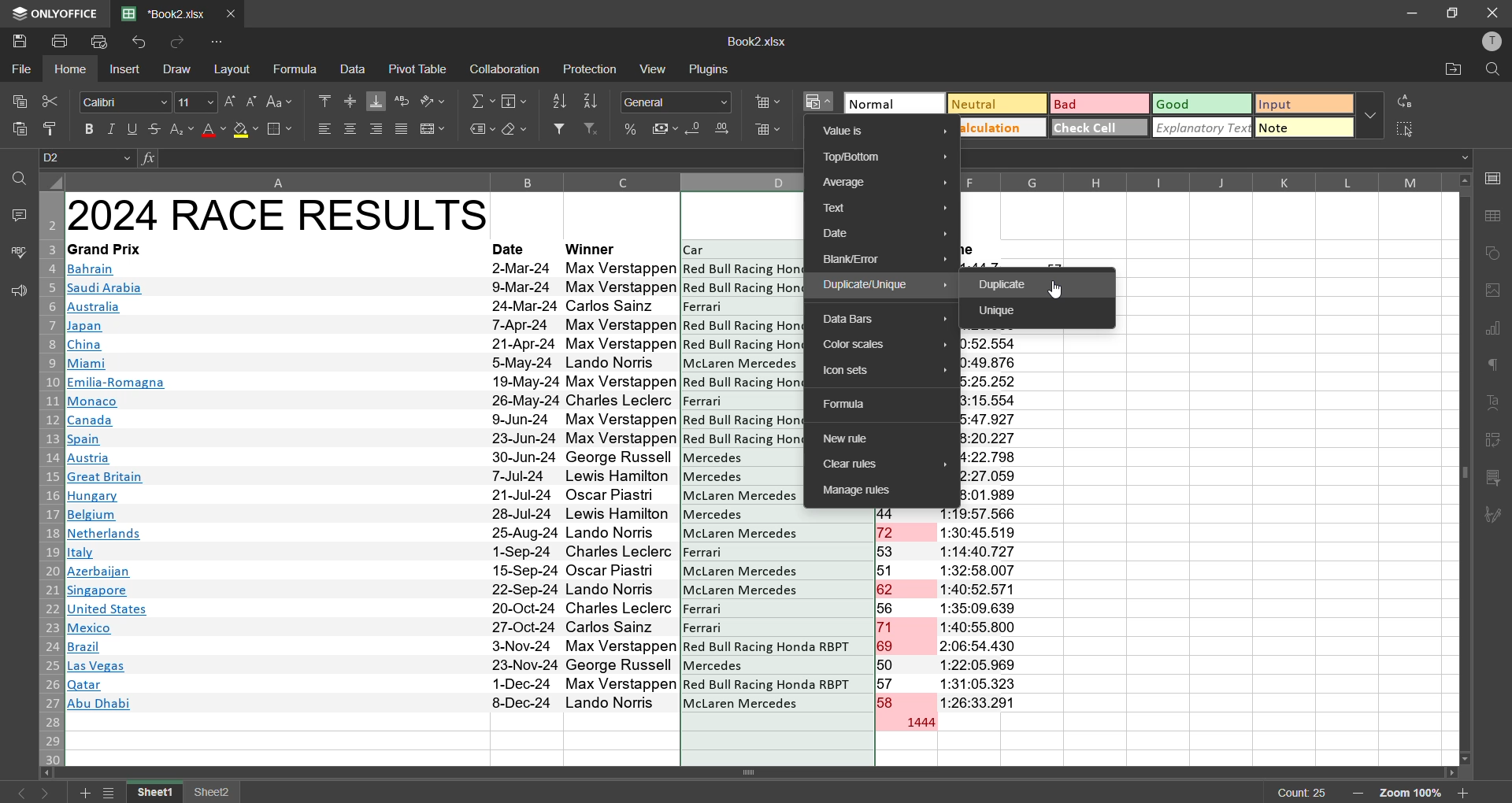  Describe the element at coordinates (235, 12) in the screenshot. I see `close tab` at that location.